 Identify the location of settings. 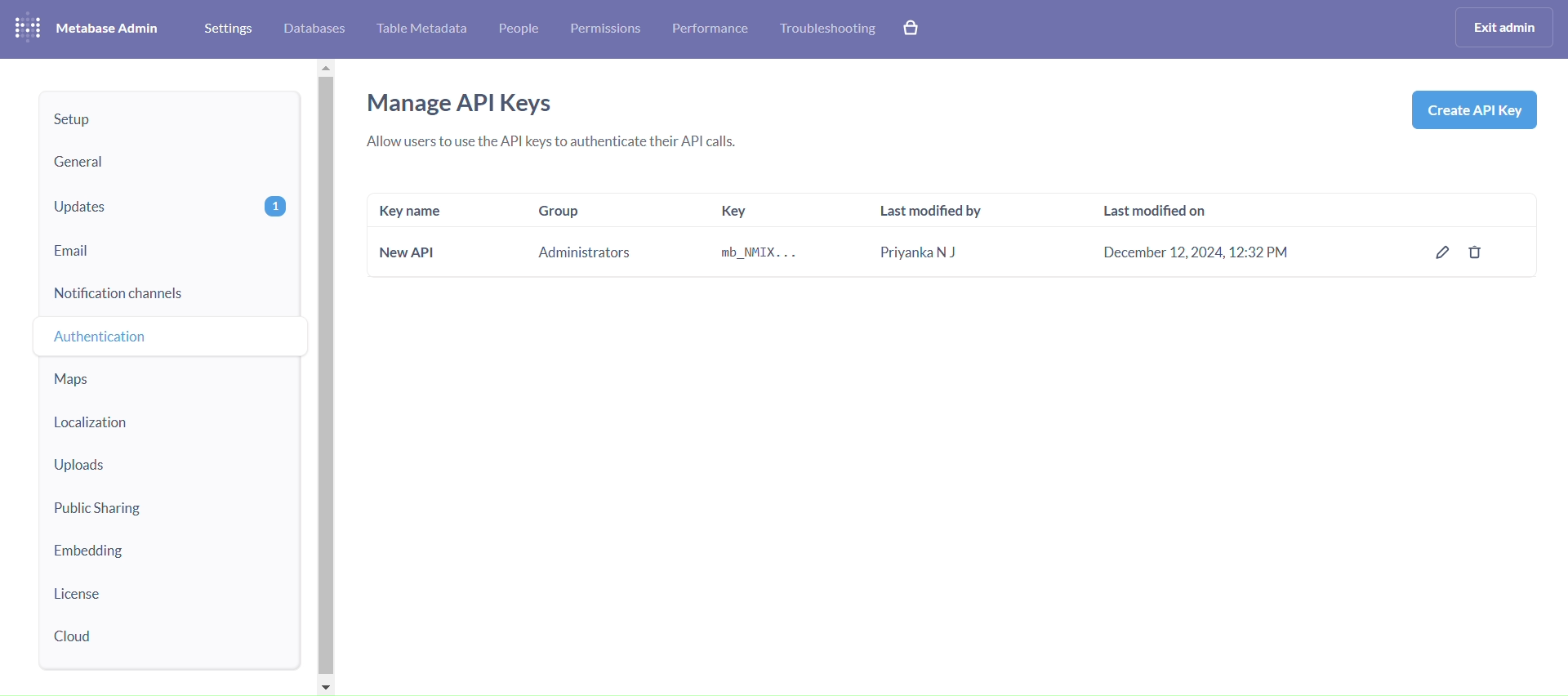
(225, 29).